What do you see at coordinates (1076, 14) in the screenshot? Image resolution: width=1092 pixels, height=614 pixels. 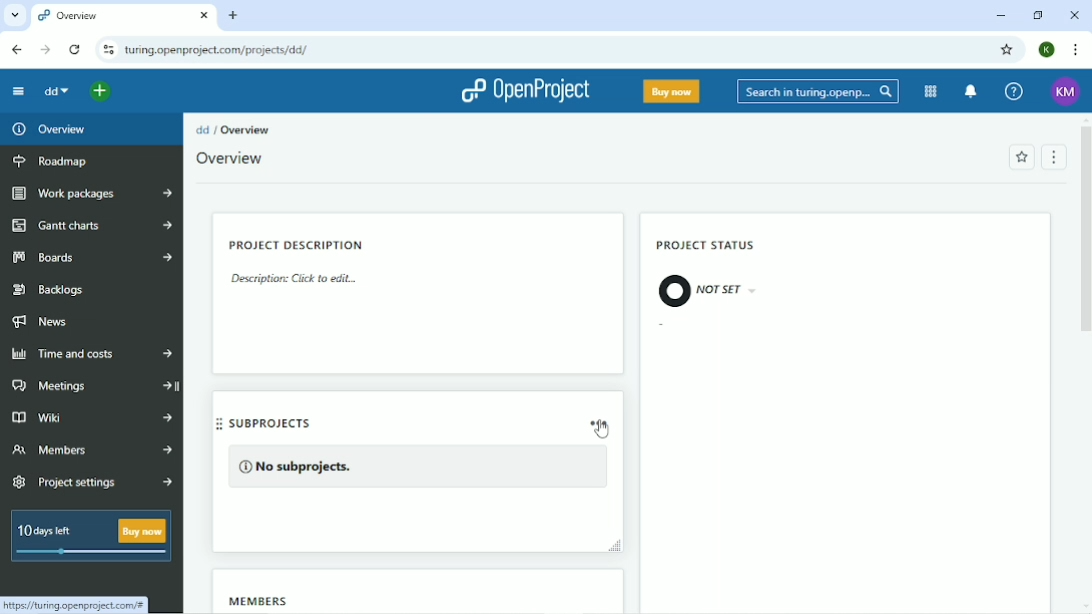 I see `Close` at bounding box center [1076, 14].